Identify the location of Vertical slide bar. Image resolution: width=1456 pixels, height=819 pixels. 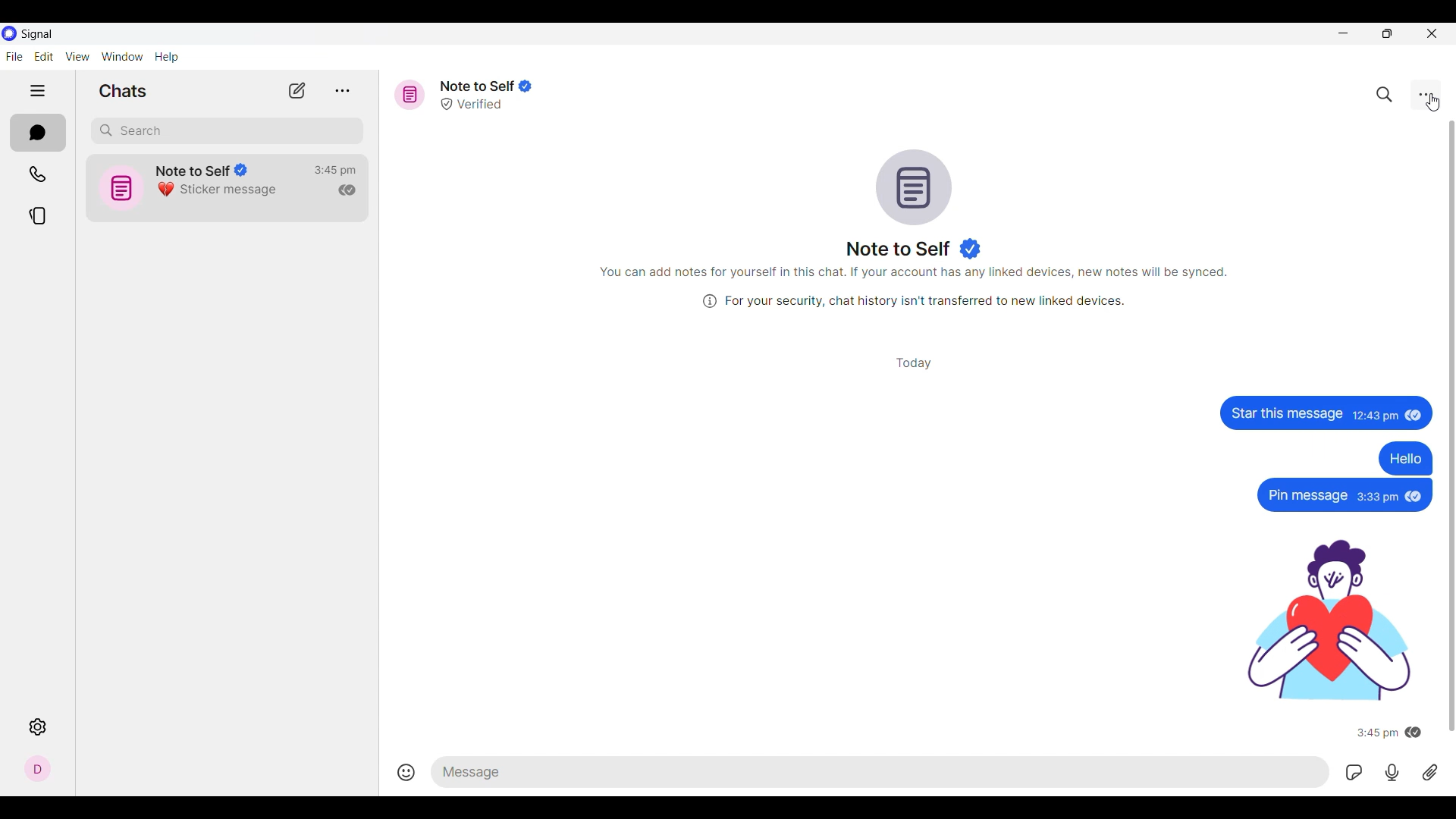
(1451, 425).